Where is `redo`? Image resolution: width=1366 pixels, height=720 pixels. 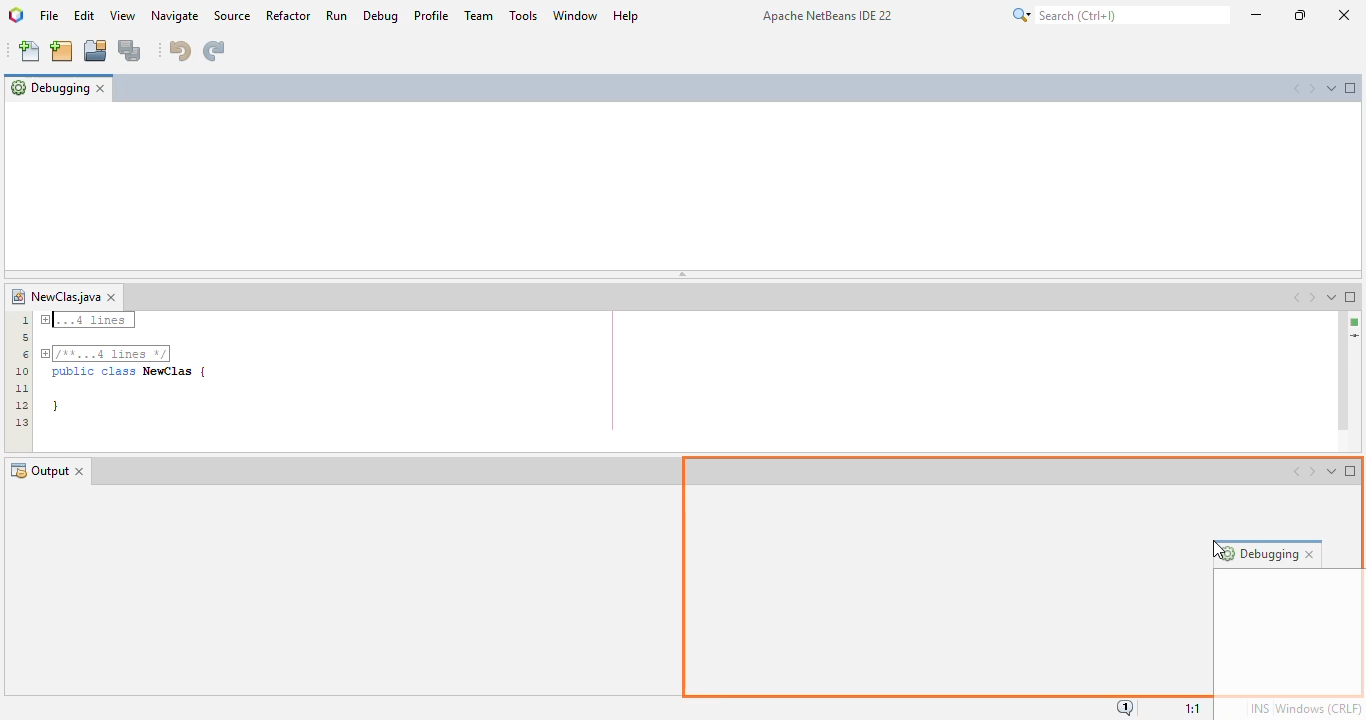 redo is located at coordinates (213, 50).